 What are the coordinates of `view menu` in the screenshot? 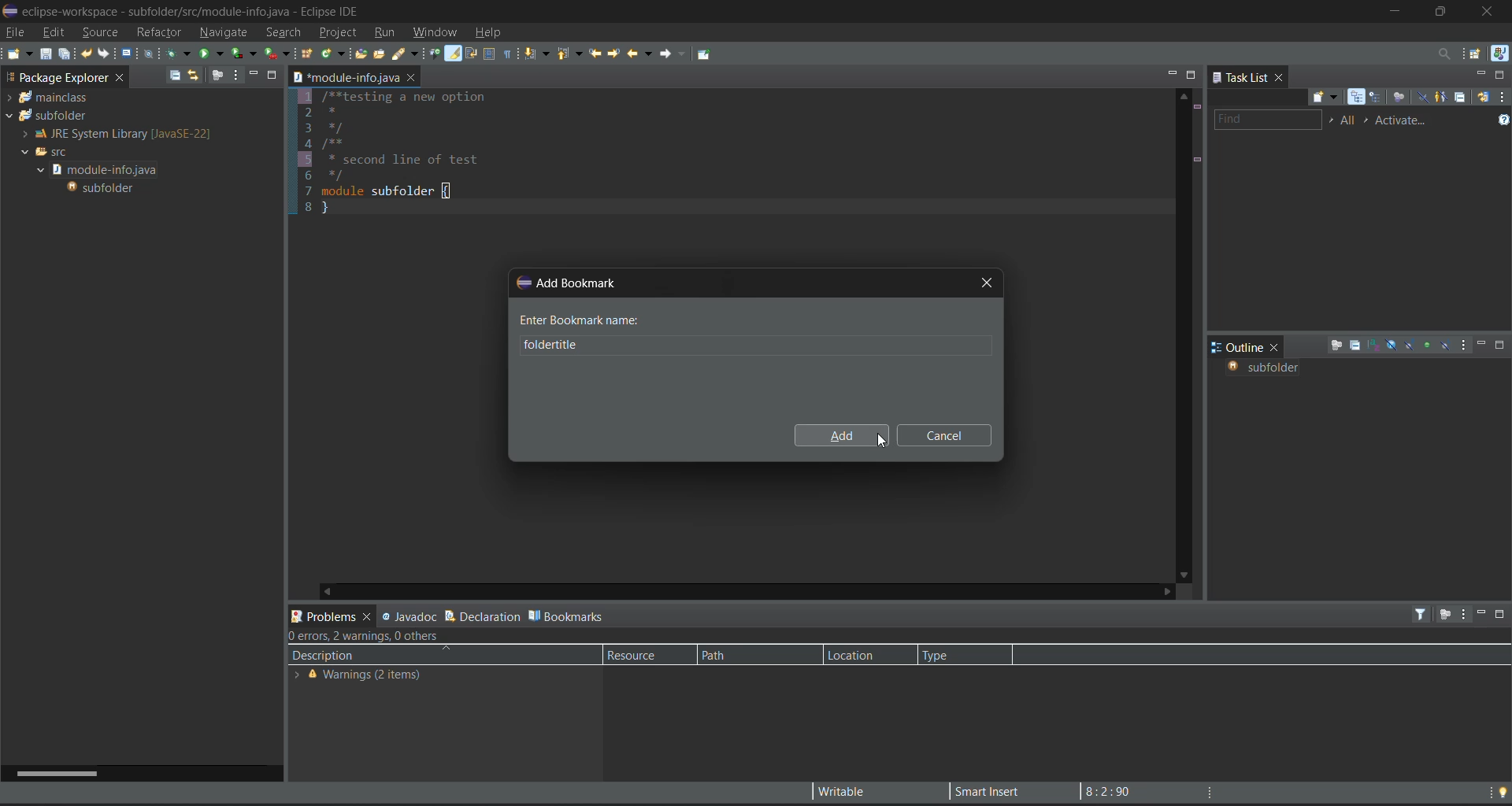 It's located at (235, 74).